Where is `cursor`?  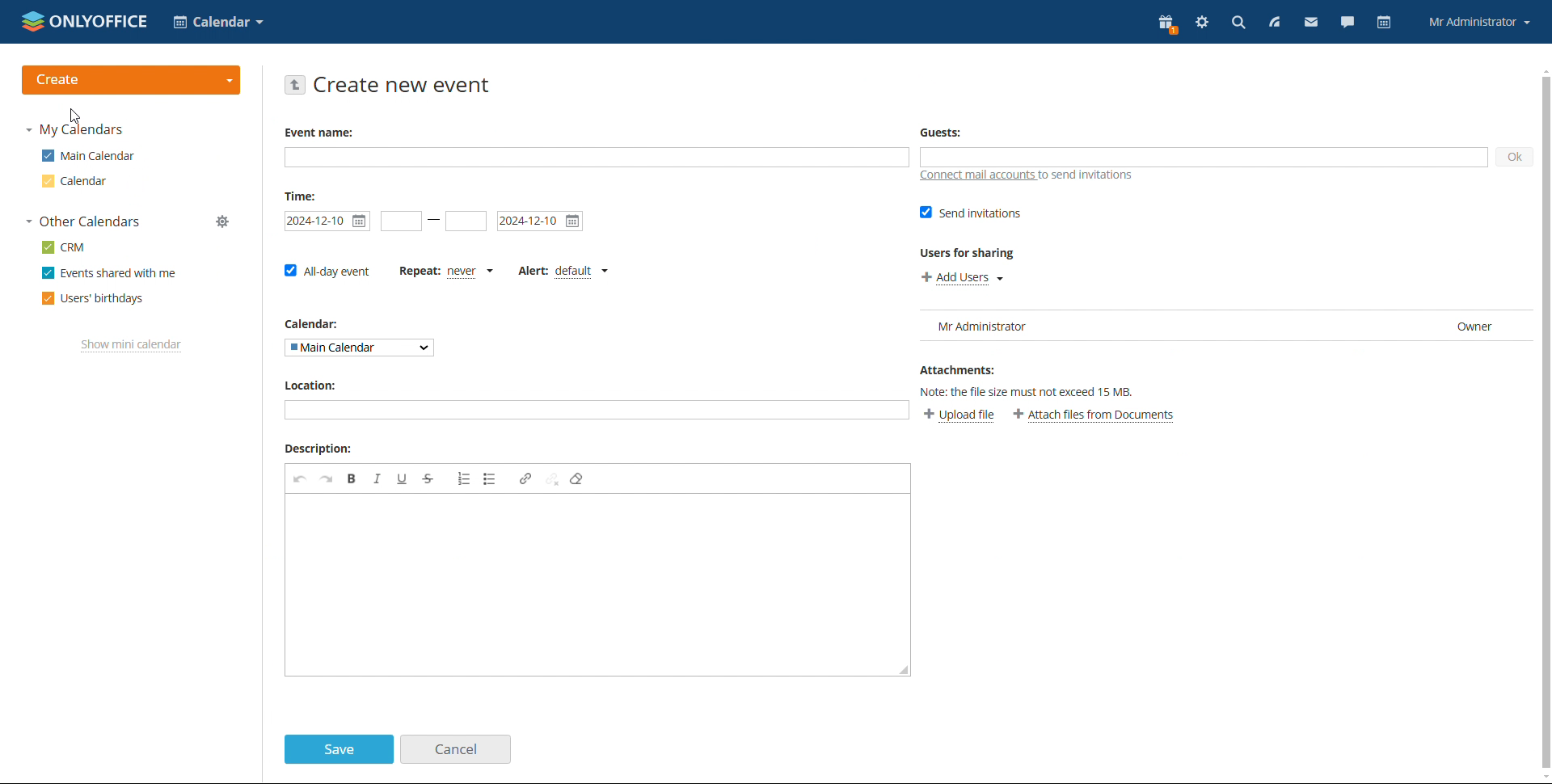
cursor is located at coordinates (80, 116).